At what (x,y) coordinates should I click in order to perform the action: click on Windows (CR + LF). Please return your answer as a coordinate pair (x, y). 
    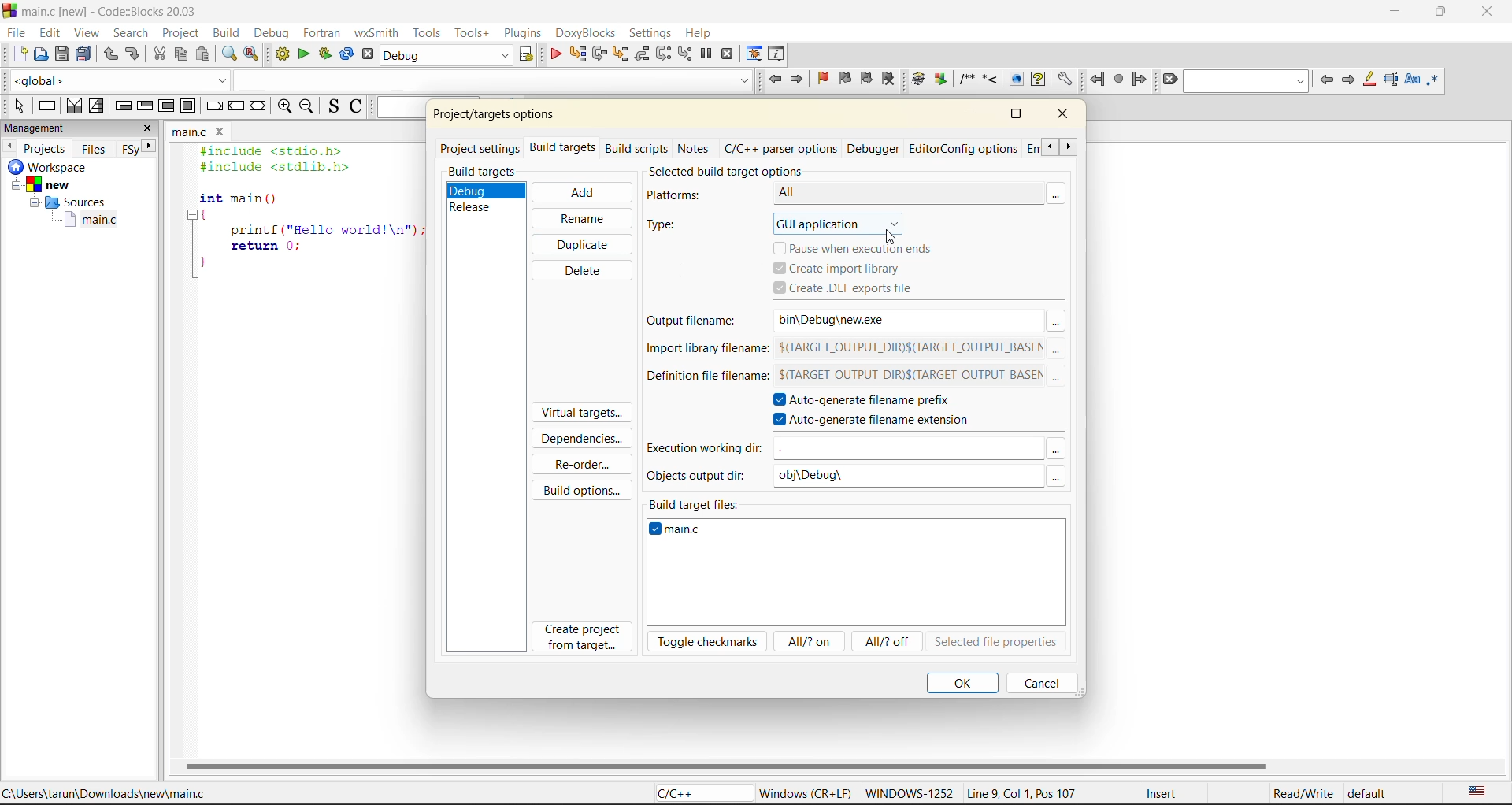
    Looking at the image, I should click on (806, 792).